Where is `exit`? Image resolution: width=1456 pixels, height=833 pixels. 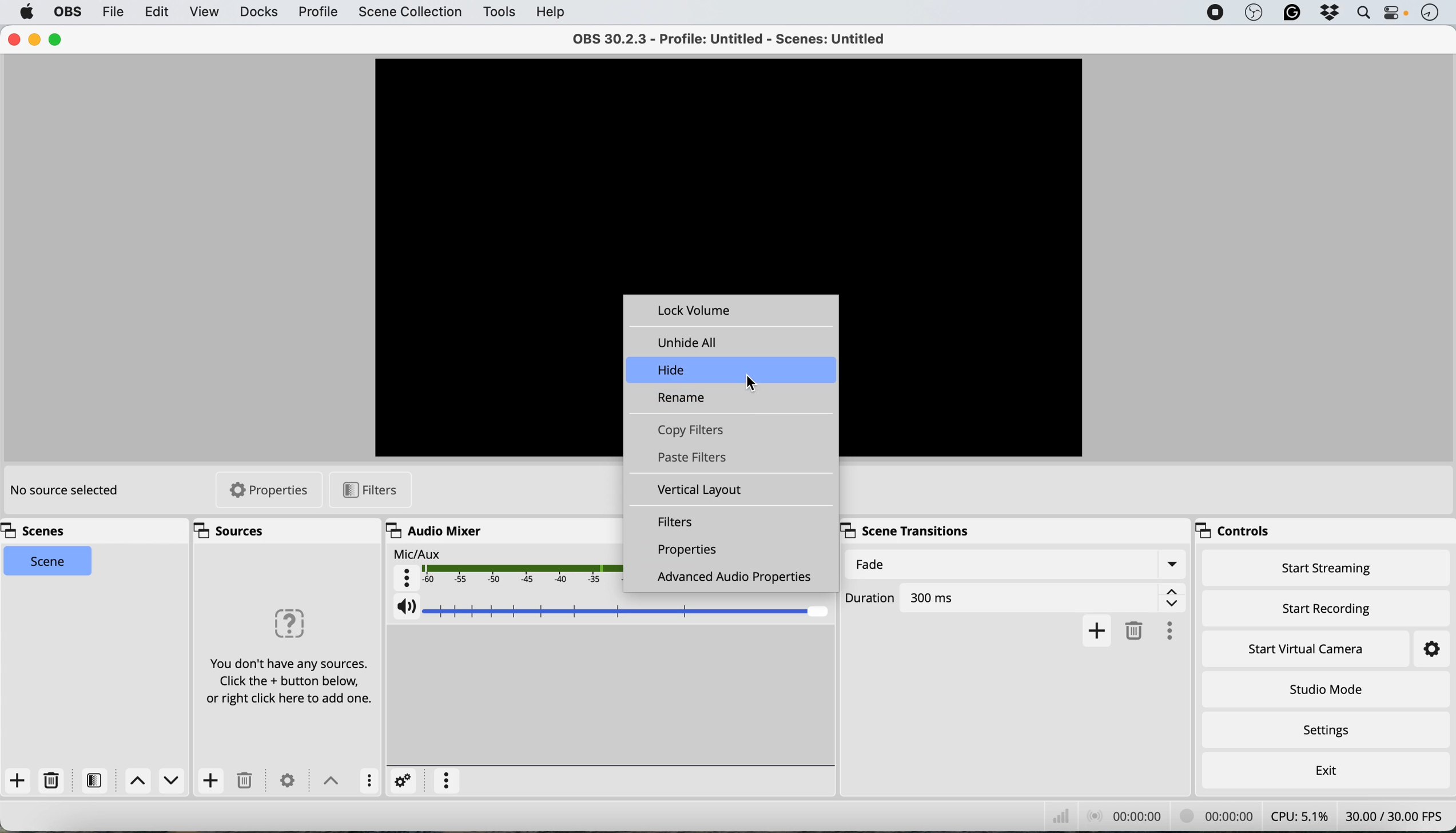 exit is located at coordinates (1328, 769).